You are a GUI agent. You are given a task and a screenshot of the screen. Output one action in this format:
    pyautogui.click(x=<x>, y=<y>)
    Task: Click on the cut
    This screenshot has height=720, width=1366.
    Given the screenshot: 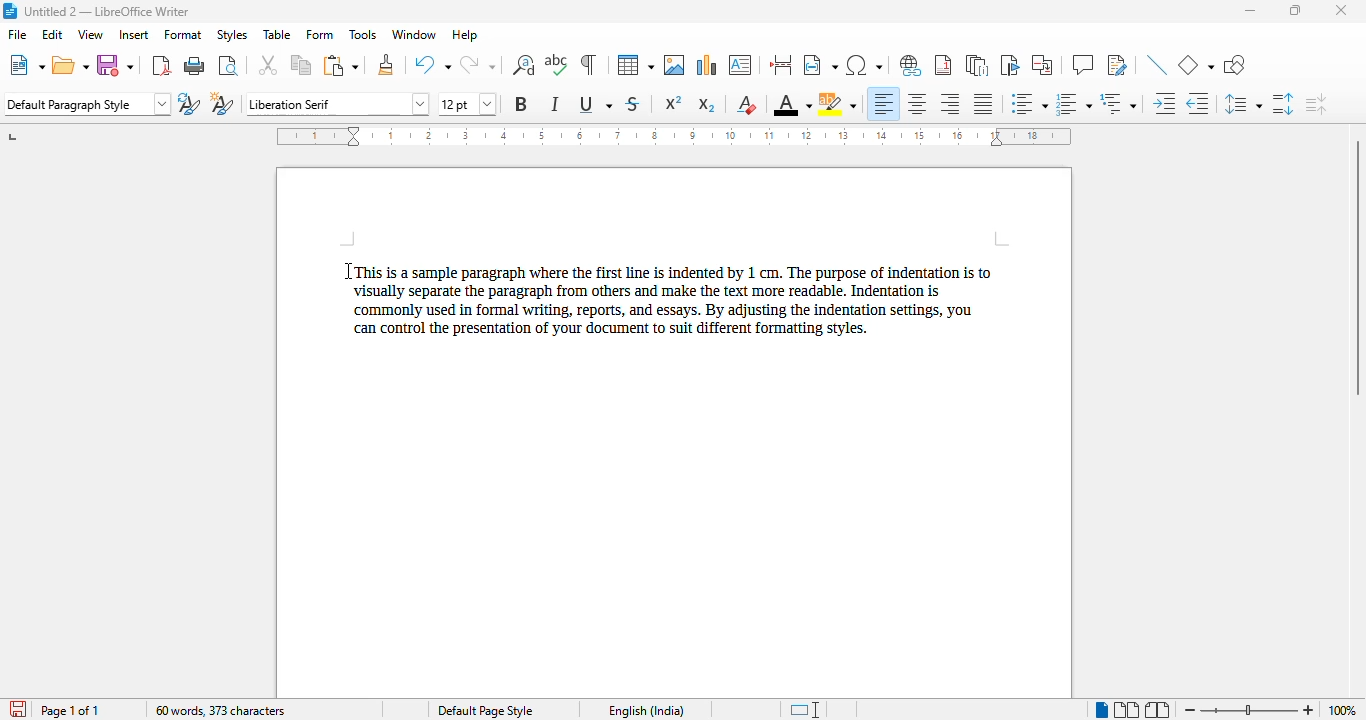 What is the action you would take?
    pyautogui.click(x=267, y=65)
    